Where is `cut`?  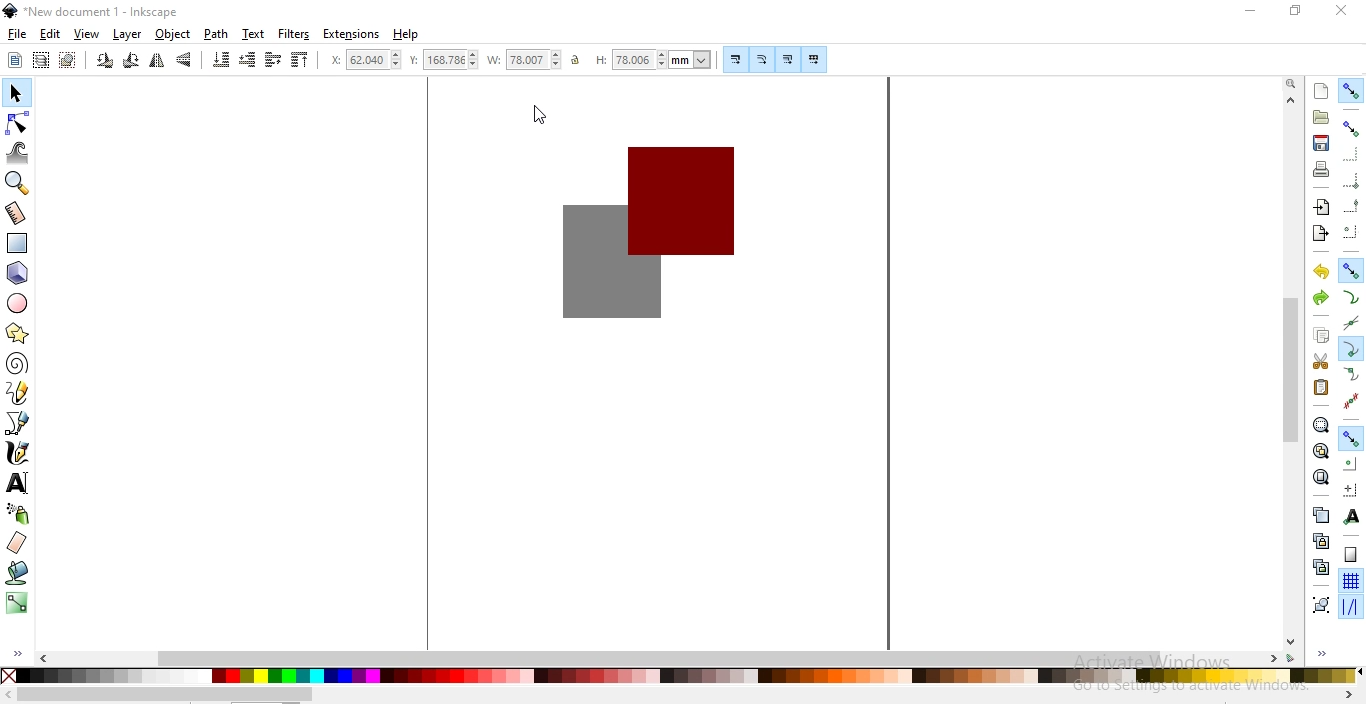
cut is located at coordinates (1320, 362).